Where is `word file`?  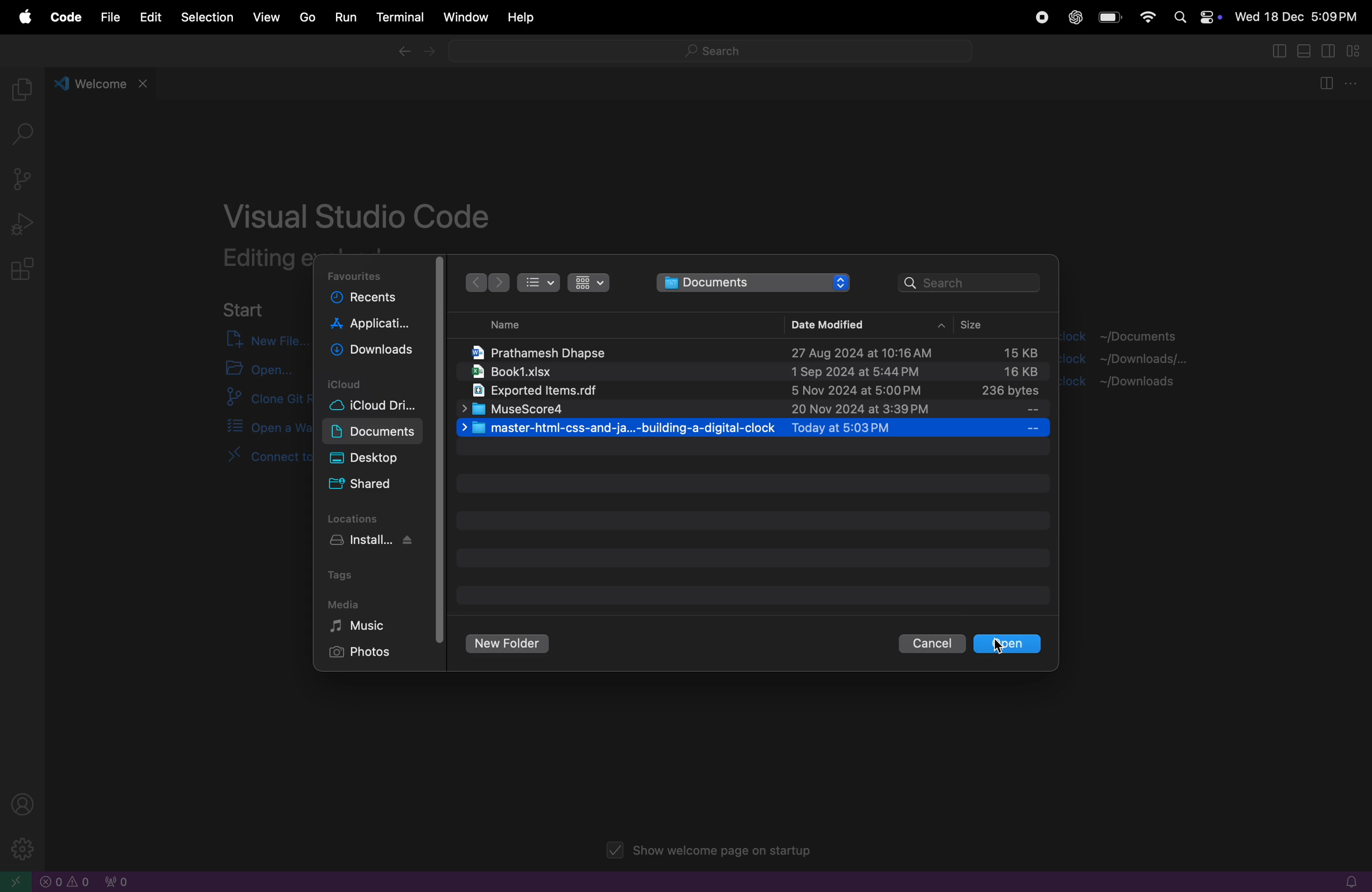 word file is located at coordinates (753, 349).